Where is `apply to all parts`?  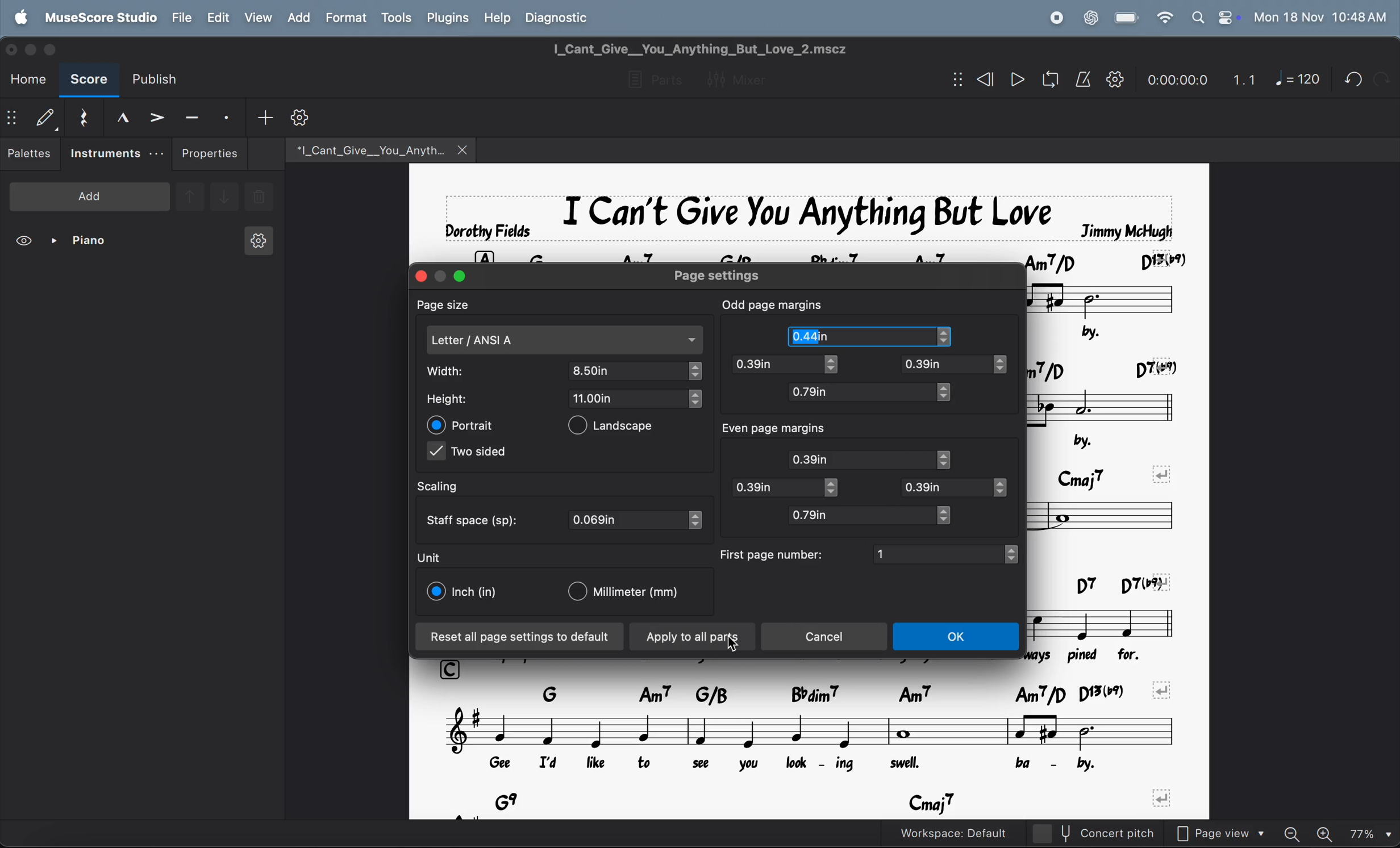
apply to all parts is located at coordinates (693, 638).